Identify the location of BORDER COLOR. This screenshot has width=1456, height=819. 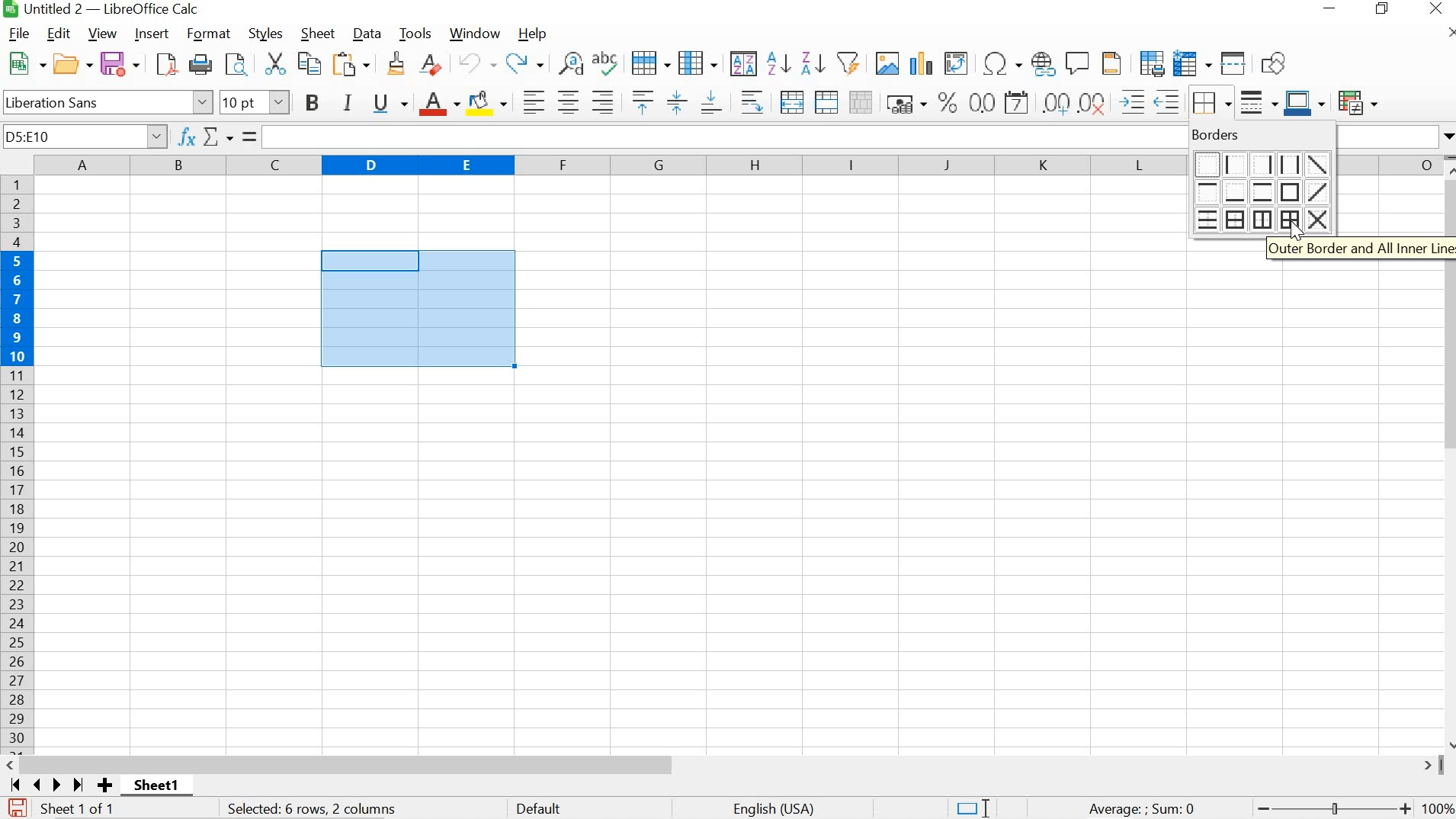
(1304, 101).